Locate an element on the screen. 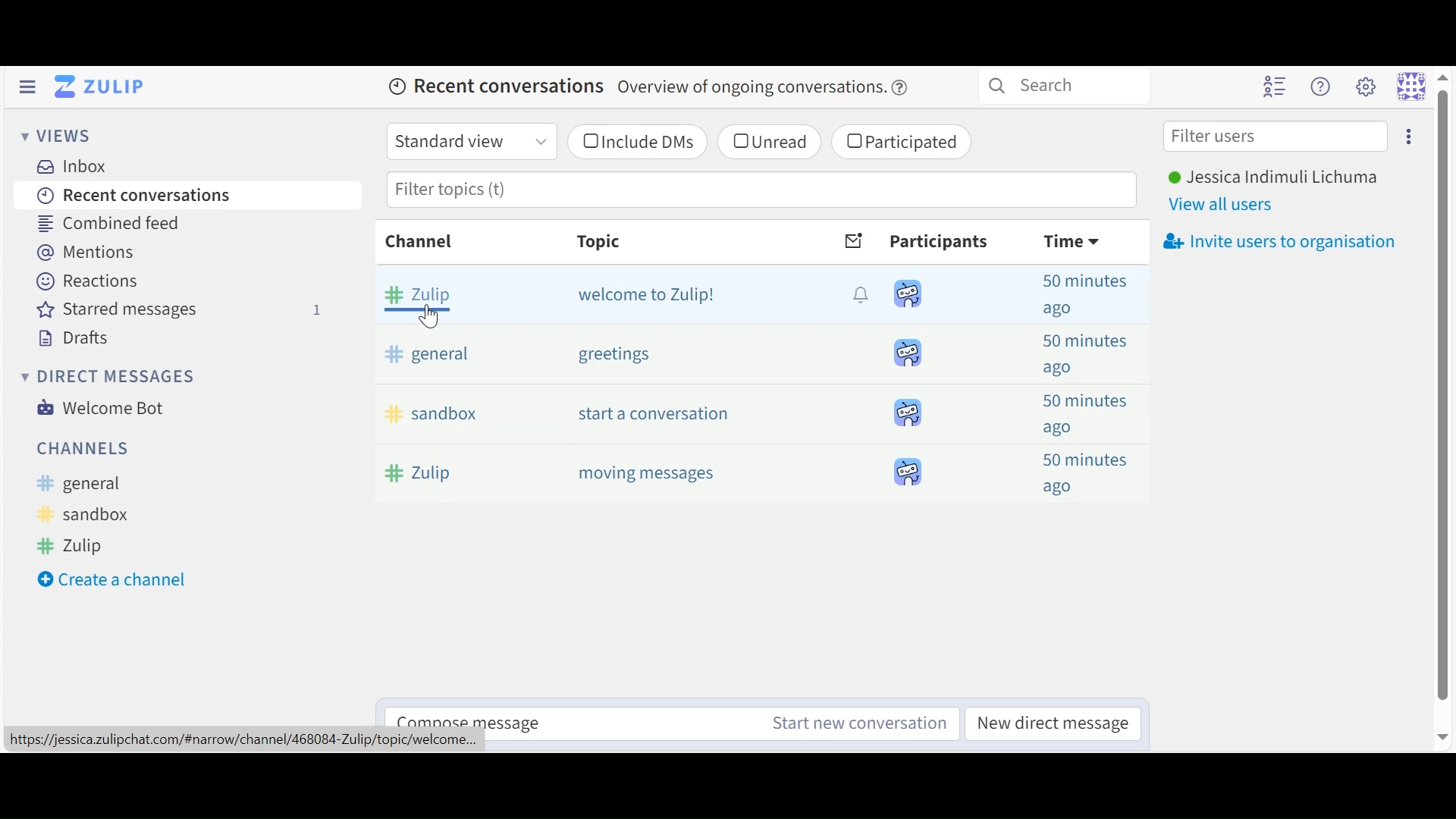  Channel is located at coordinates (420, 240).